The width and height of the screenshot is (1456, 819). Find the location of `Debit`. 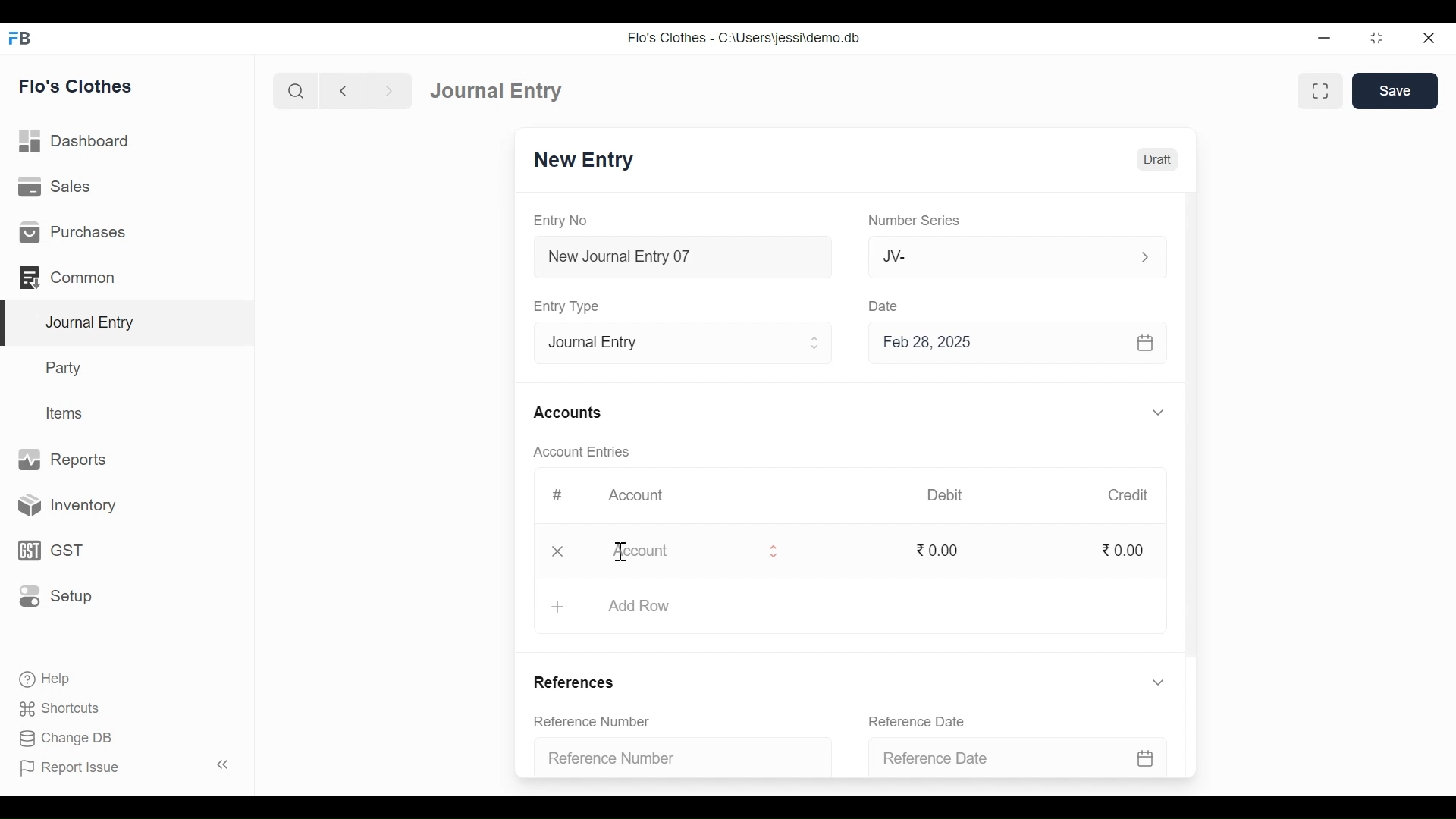

Debit is located at coordinates (943, 495).